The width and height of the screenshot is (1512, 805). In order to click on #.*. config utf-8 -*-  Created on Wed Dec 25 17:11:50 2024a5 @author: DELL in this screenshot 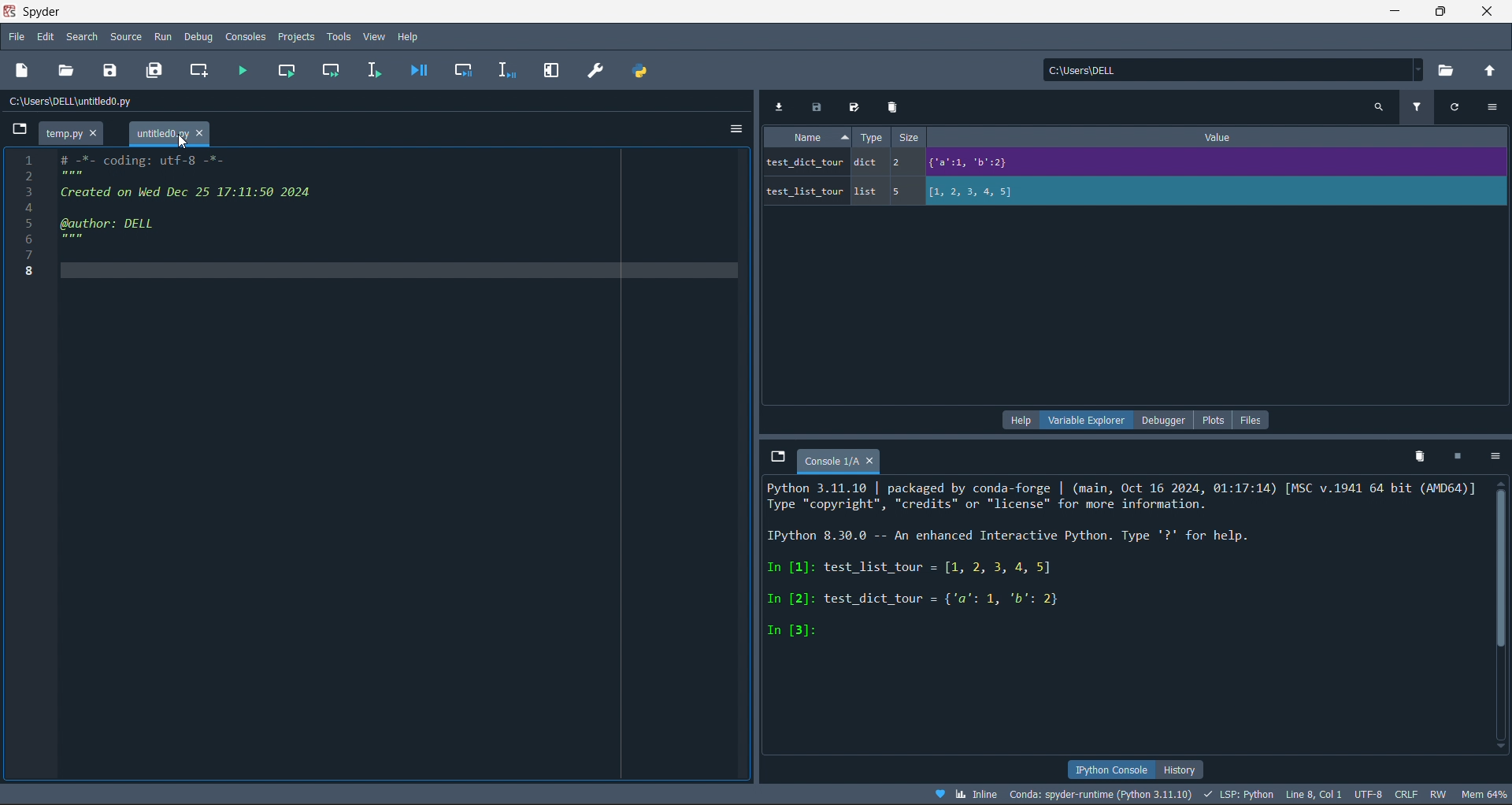, I will do `click(243, 197)`.